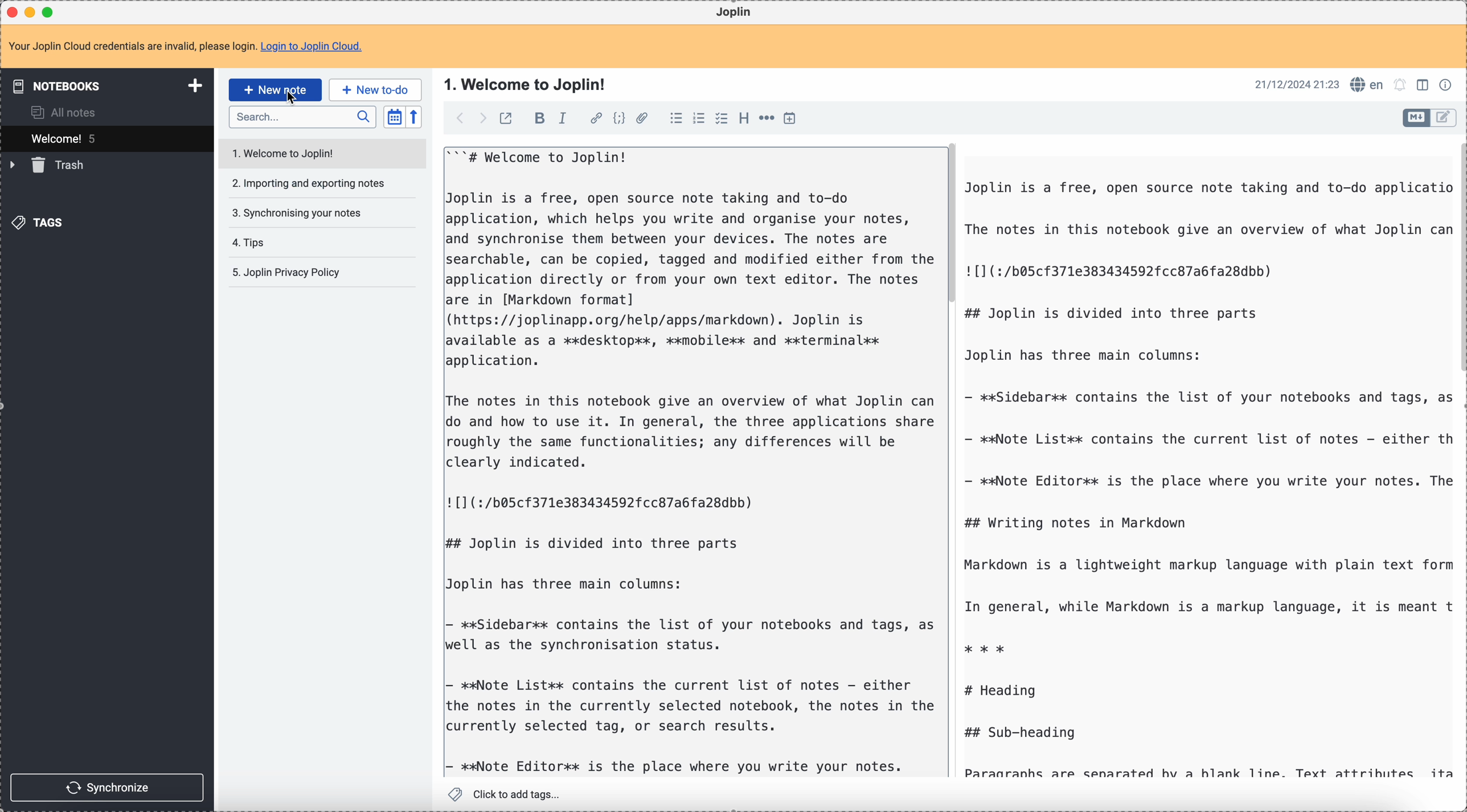 The height and width of the screenshot is (812, 1467). I want to click on date and hour, so click(1297, 84).